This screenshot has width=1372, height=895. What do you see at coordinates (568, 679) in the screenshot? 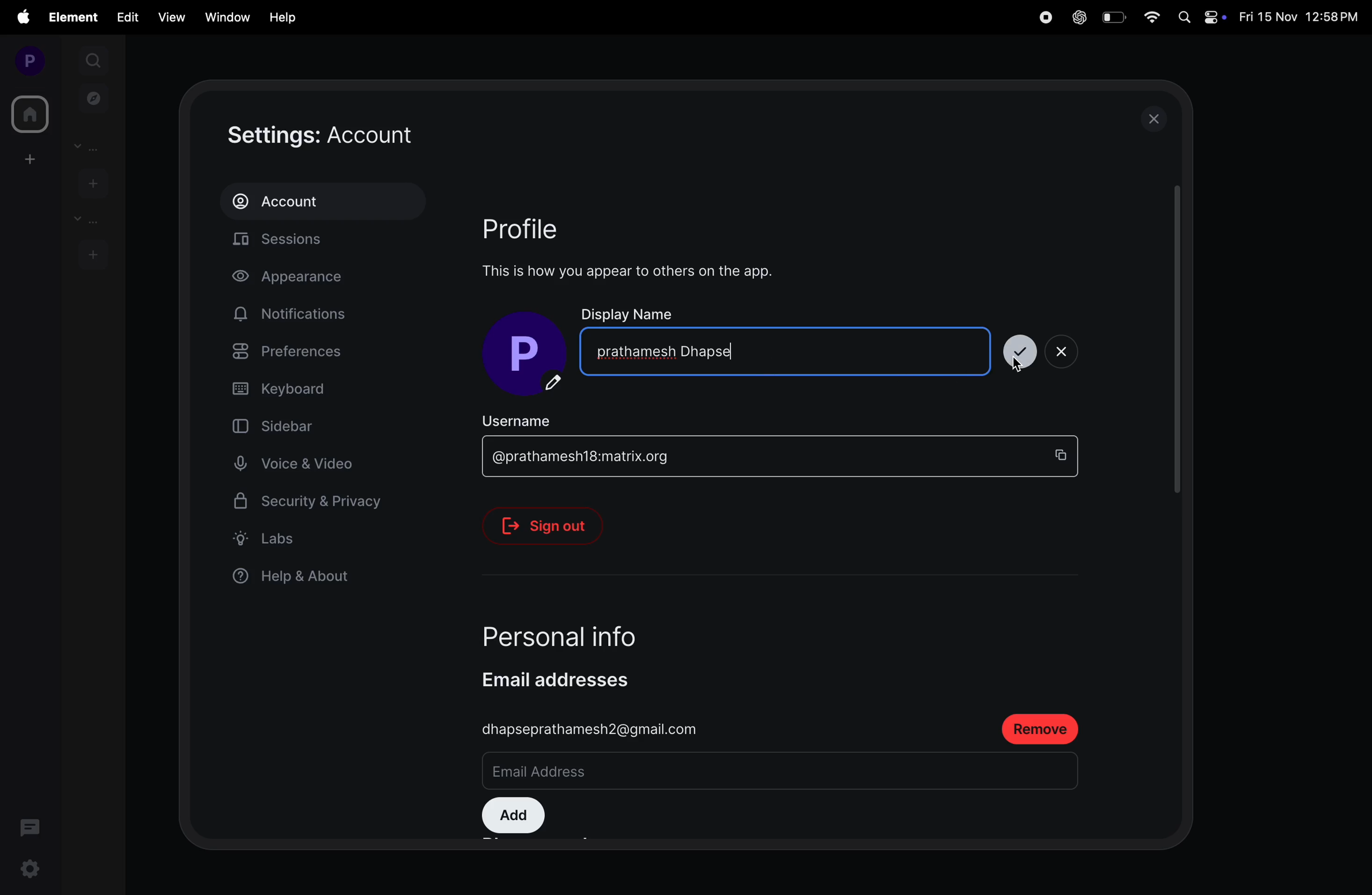
I see `email addresses` at bounding box center [568, 679].